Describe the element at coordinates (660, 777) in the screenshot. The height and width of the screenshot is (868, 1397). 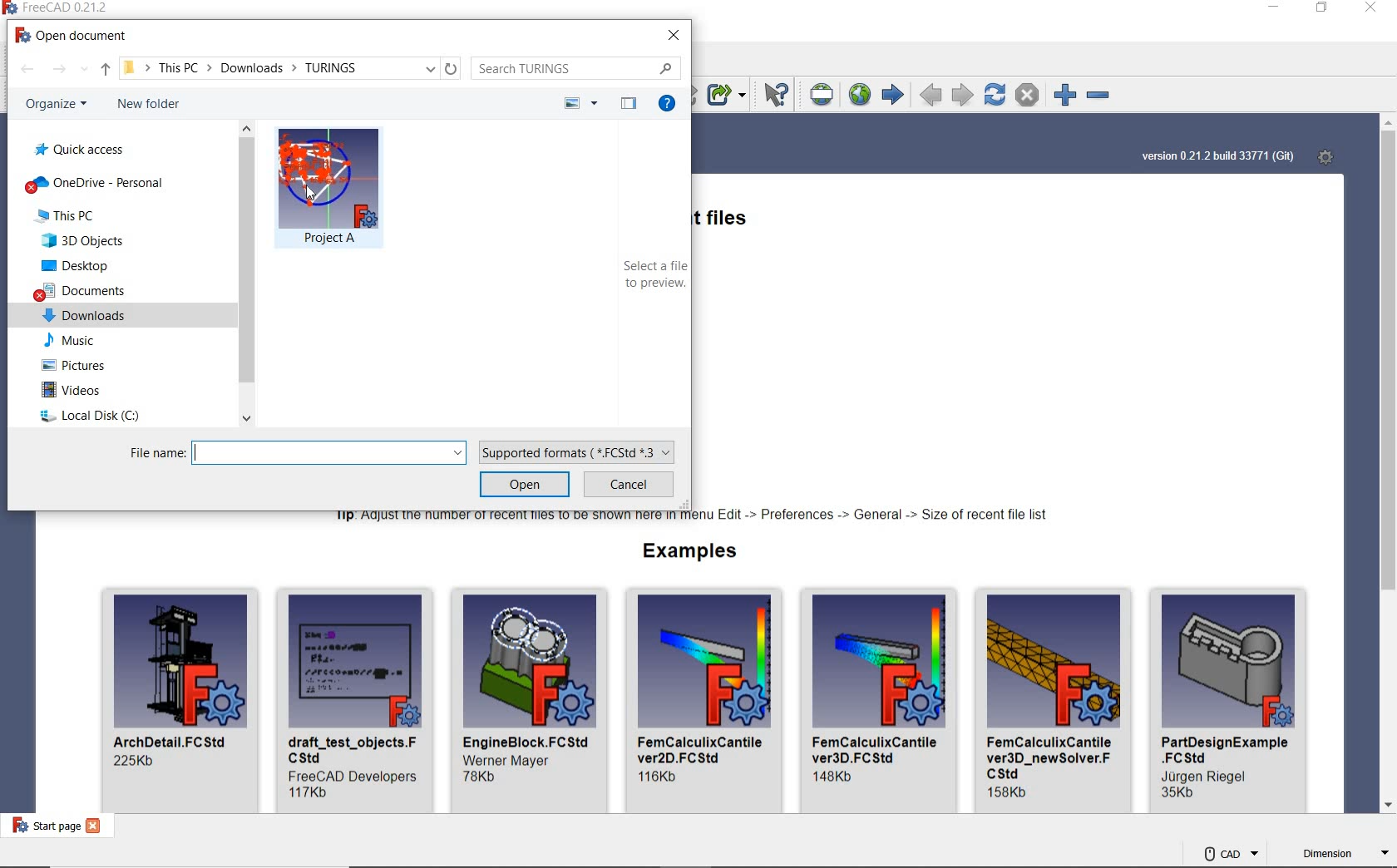
I see `size` at that location.